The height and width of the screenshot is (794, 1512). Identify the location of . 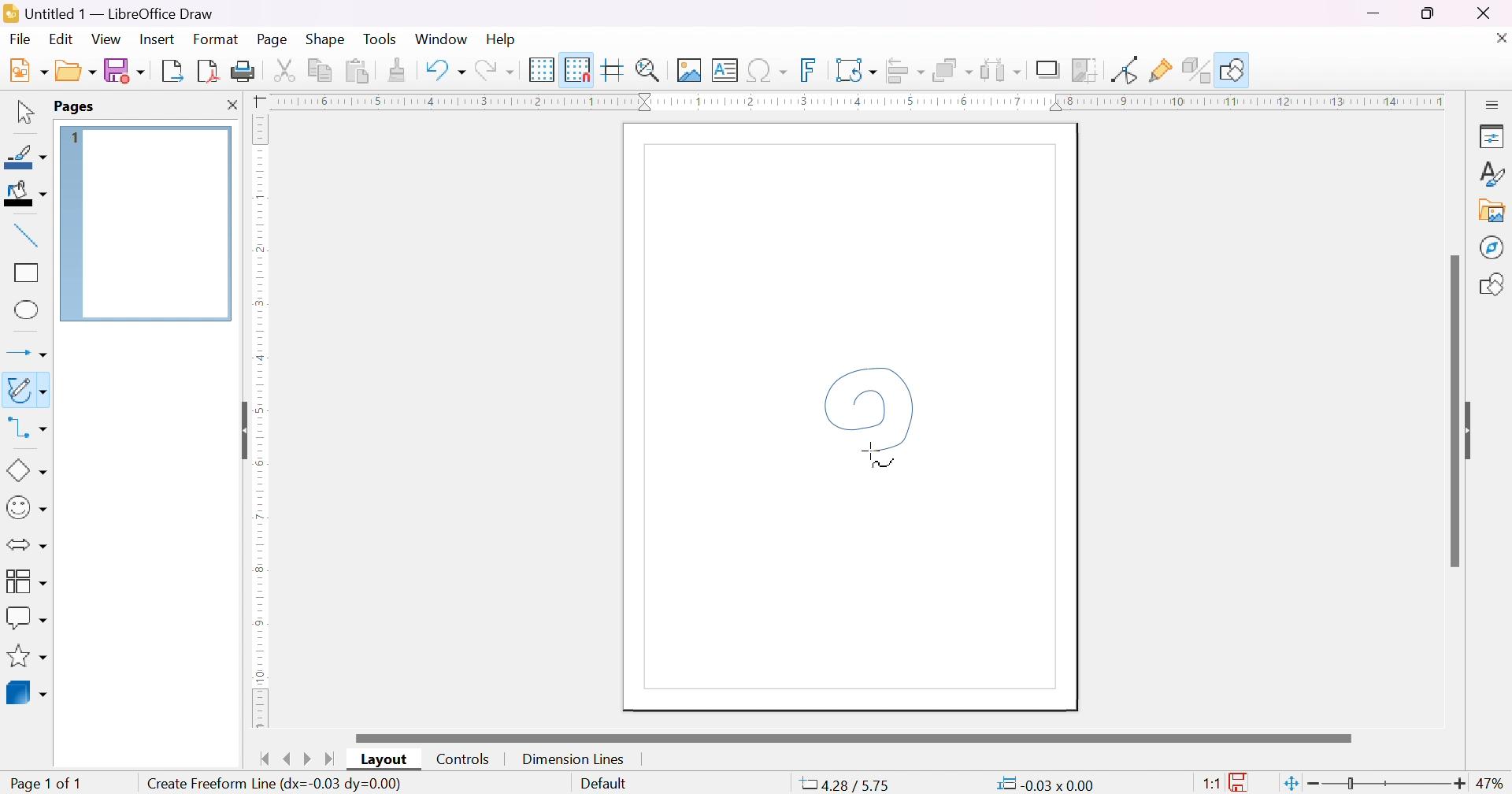
(21, 39).